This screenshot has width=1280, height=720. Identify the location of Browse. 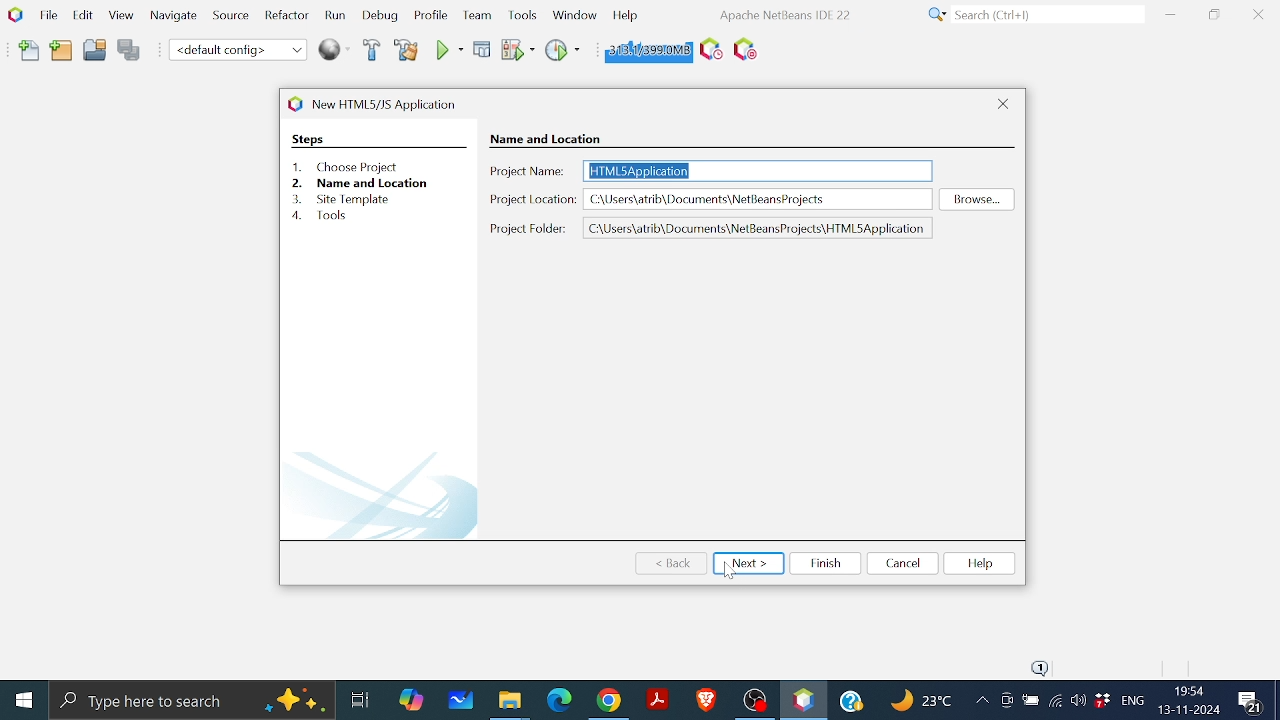
(976, 199).